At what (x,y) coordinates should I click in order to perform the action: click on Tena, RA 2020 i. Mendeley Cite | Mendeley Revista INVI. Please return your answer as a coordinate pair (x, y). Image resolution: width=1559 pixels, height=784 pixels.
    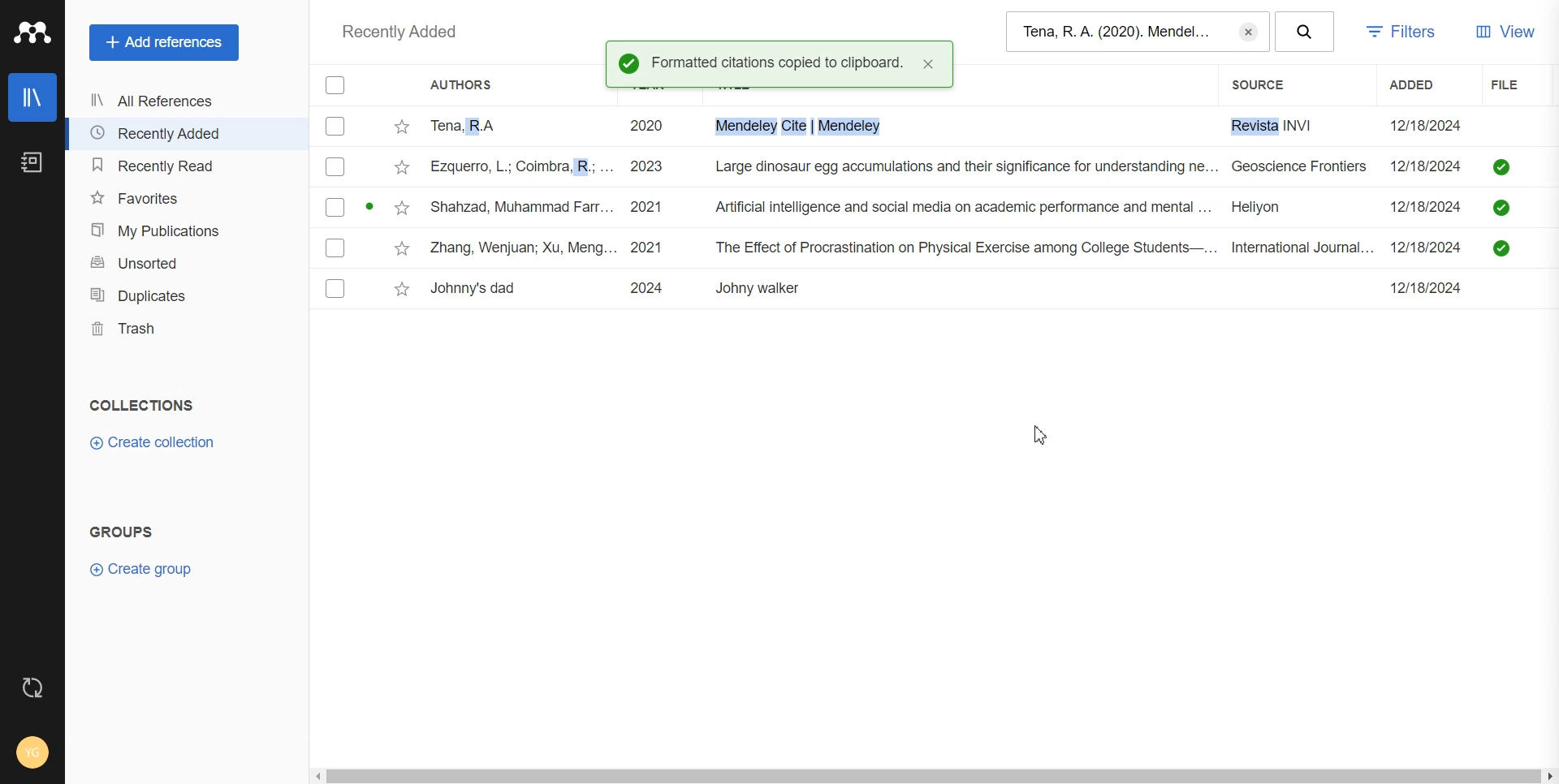
    Looking at the image, I should click on (892, 129).